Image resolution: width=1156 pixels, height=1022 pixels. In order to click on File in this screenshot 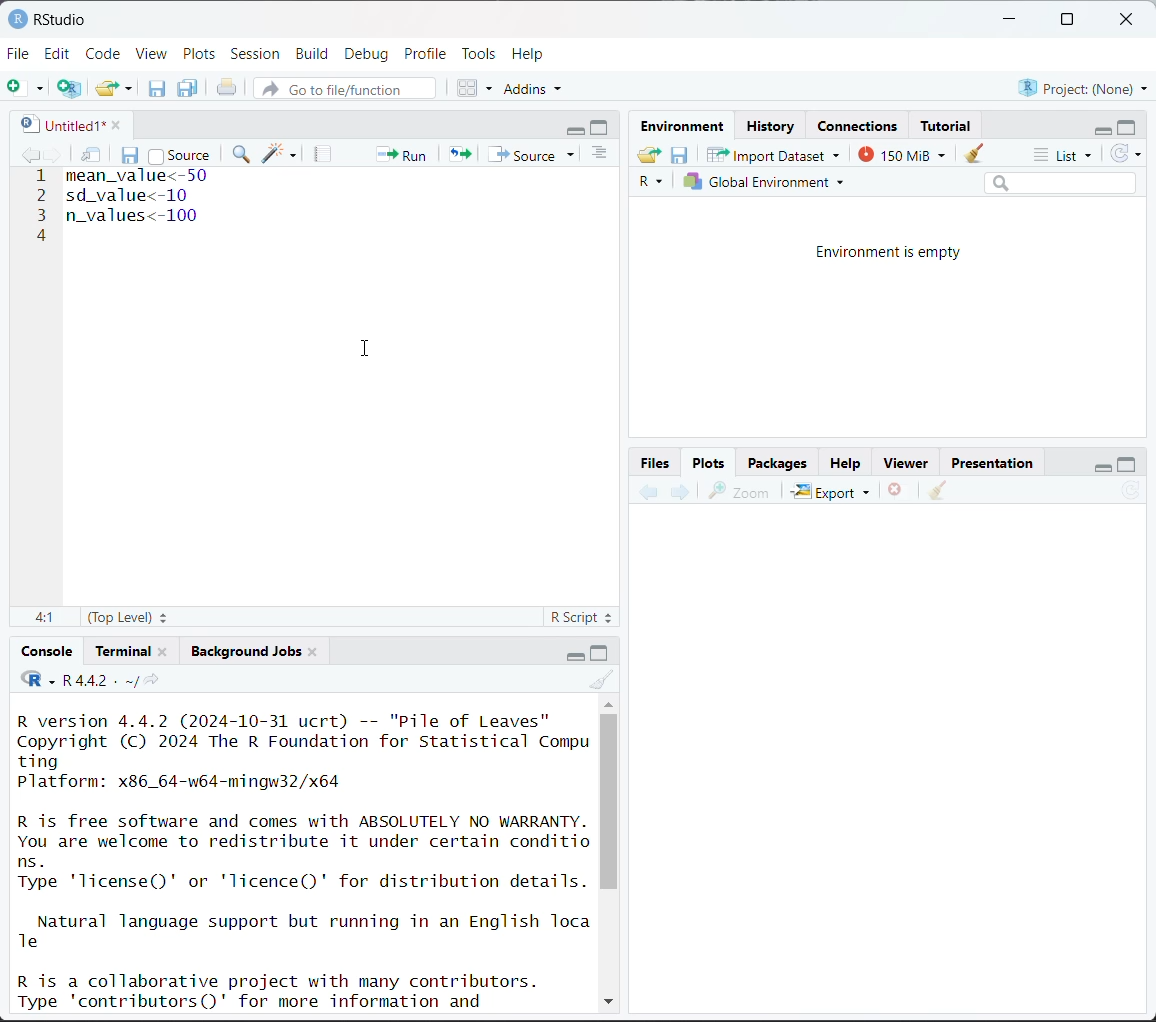, I will do `click(19, 53)`.